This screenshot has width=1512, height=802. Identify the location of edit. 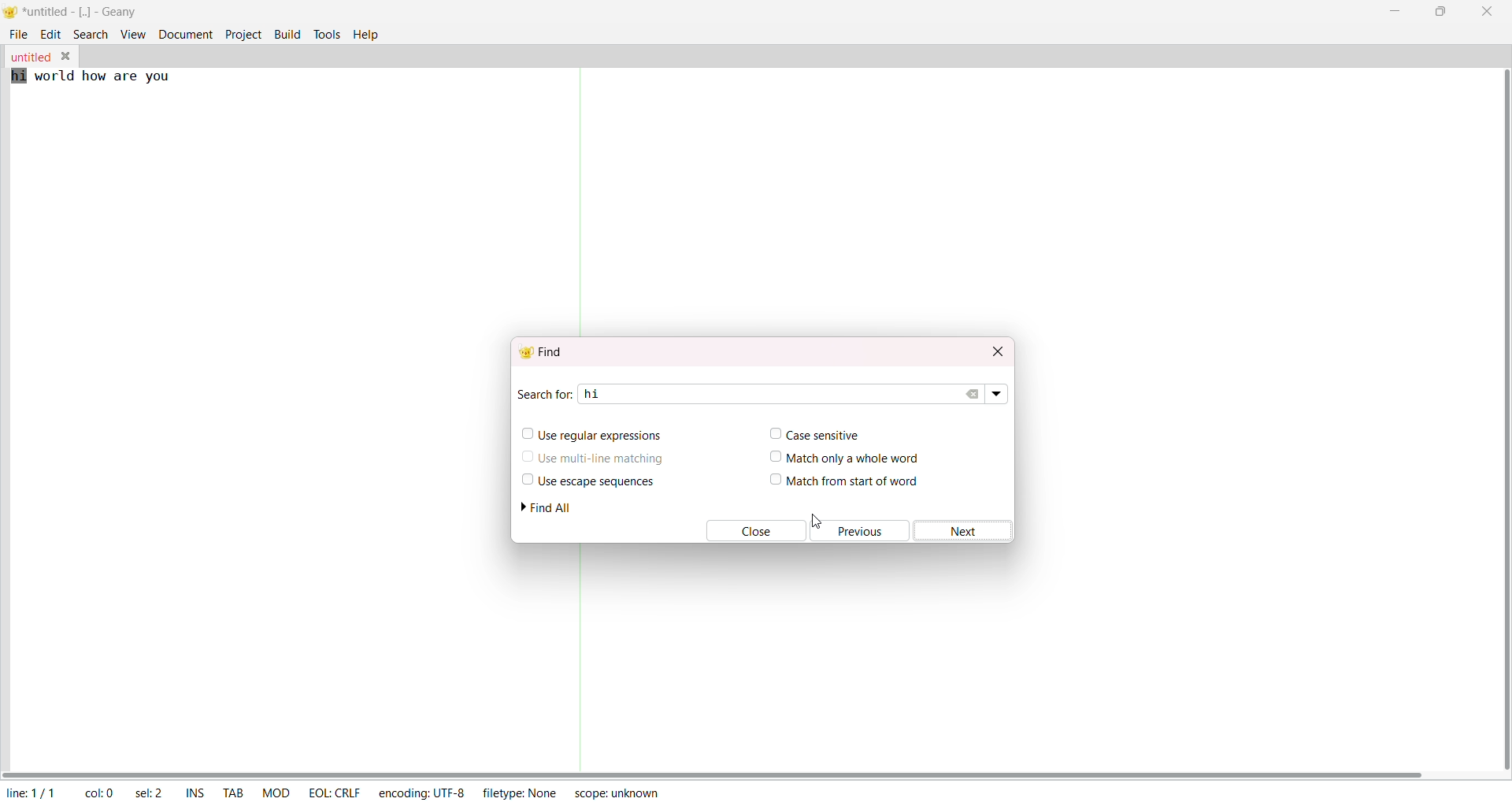
(47, 33).